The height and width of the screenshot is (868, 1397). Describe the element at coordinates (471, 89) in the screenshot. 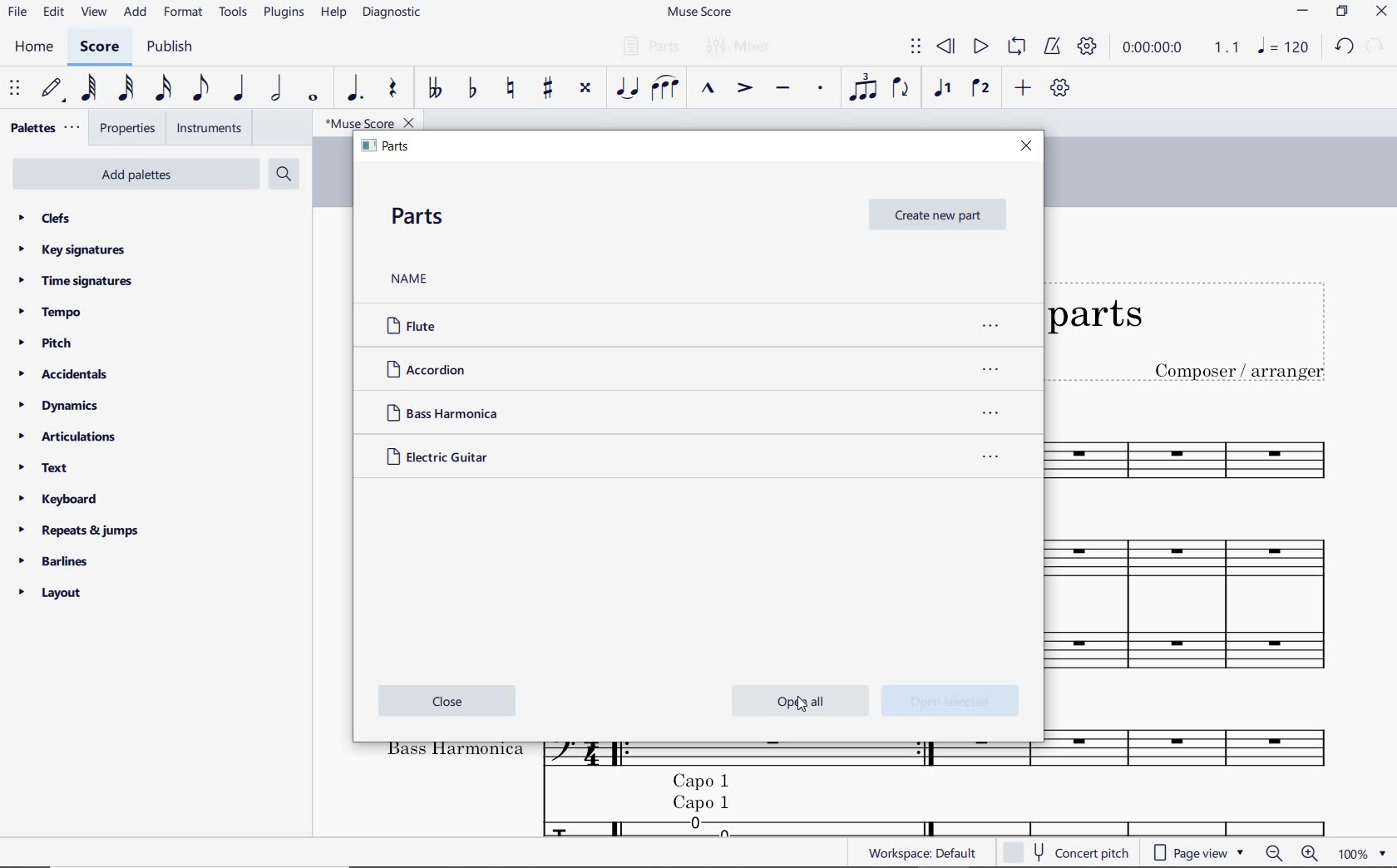

I see `toggle flat` at that location.